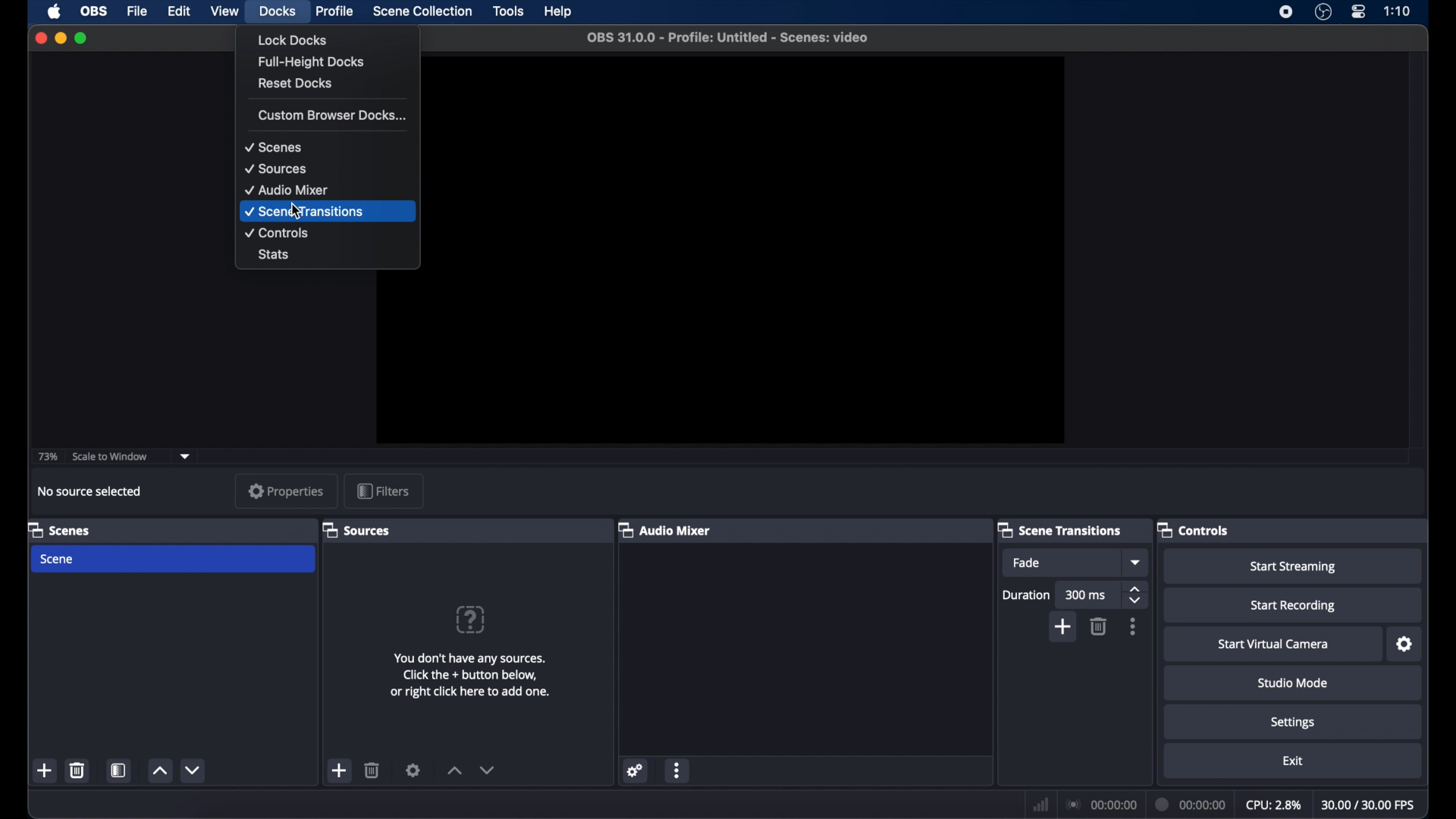 The height and width of the screenshot is (819, 1456). Describe the element at coordinates (277, 10) in the screenshot. I see `docks` at that location.